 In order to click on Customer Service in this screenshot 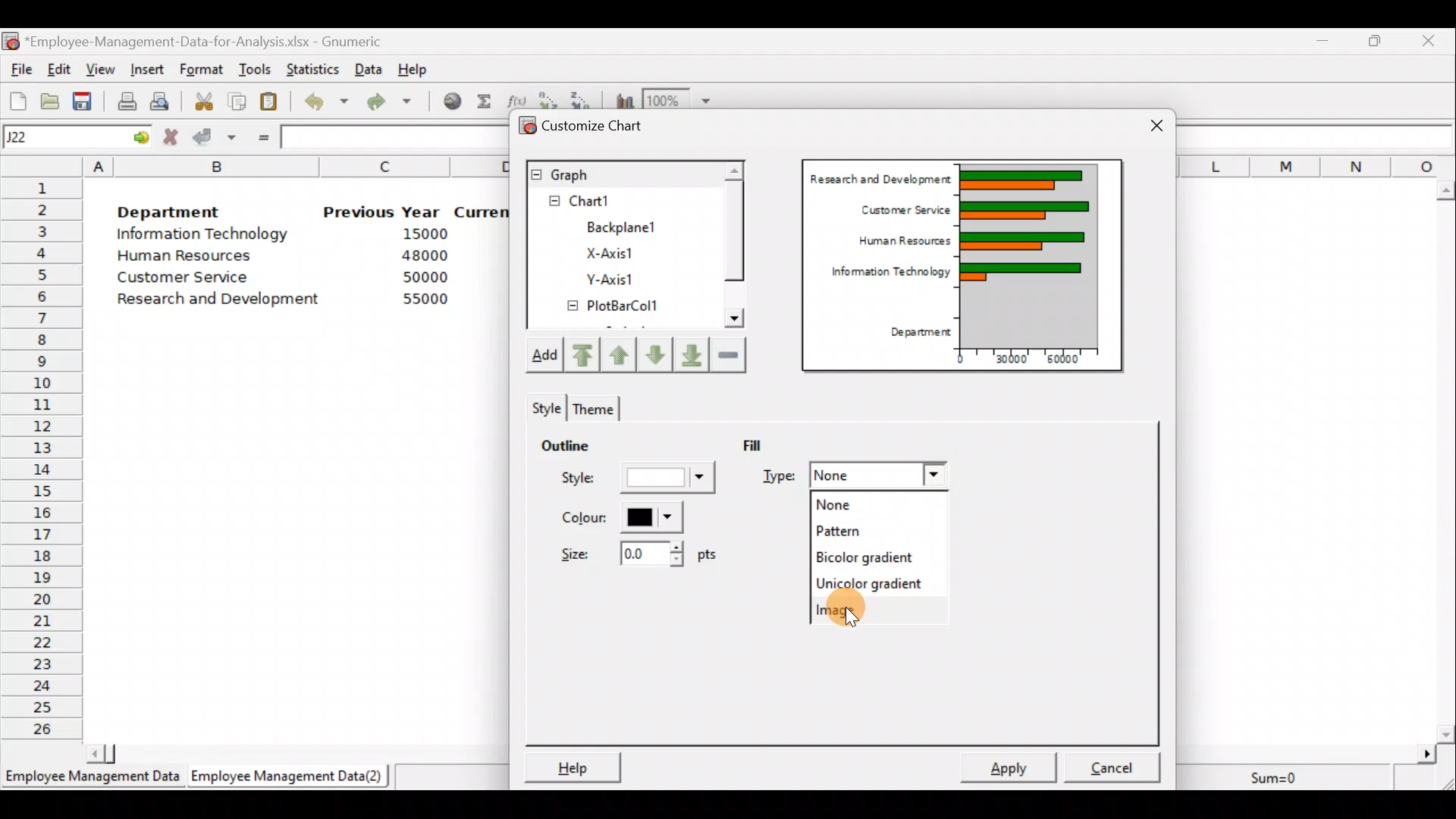, I will do `click(893, 212)`.